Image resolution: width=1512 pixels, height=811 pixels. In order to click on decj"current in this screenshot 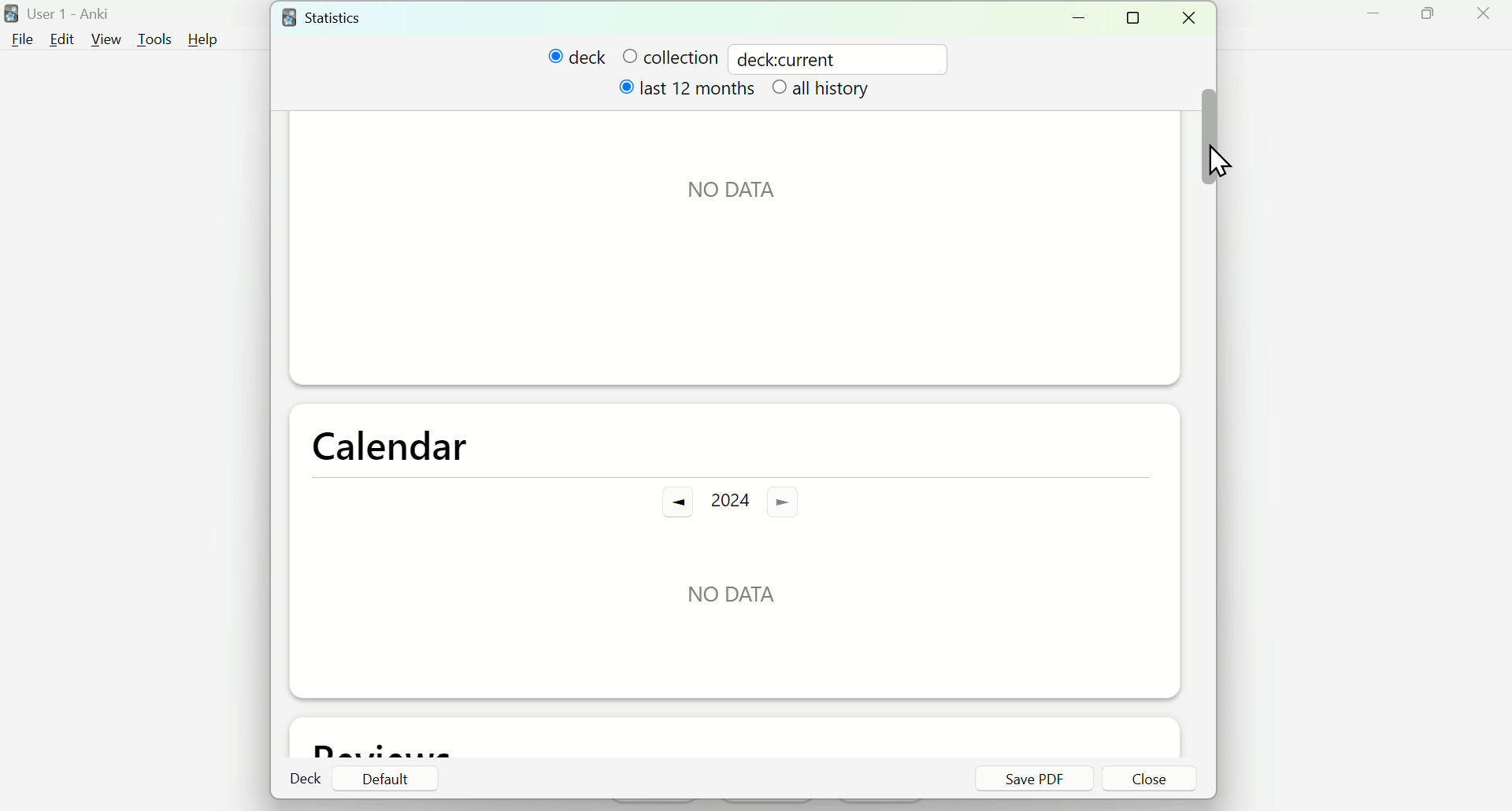, I will do `click(794, 57)`.